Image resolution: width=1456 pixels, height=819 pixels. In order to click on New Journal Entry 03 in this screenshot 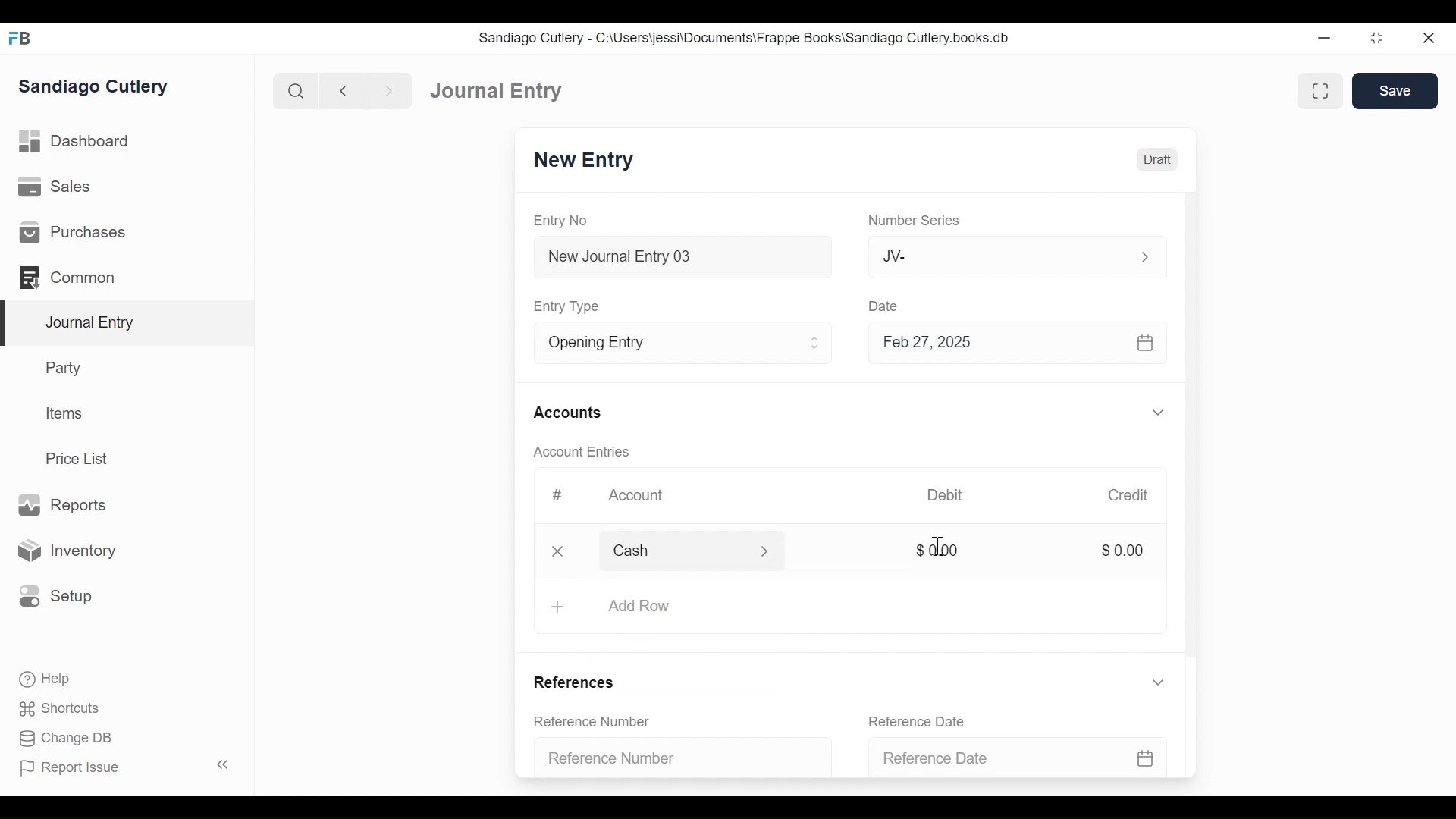, I will do `click(679, 257)`.